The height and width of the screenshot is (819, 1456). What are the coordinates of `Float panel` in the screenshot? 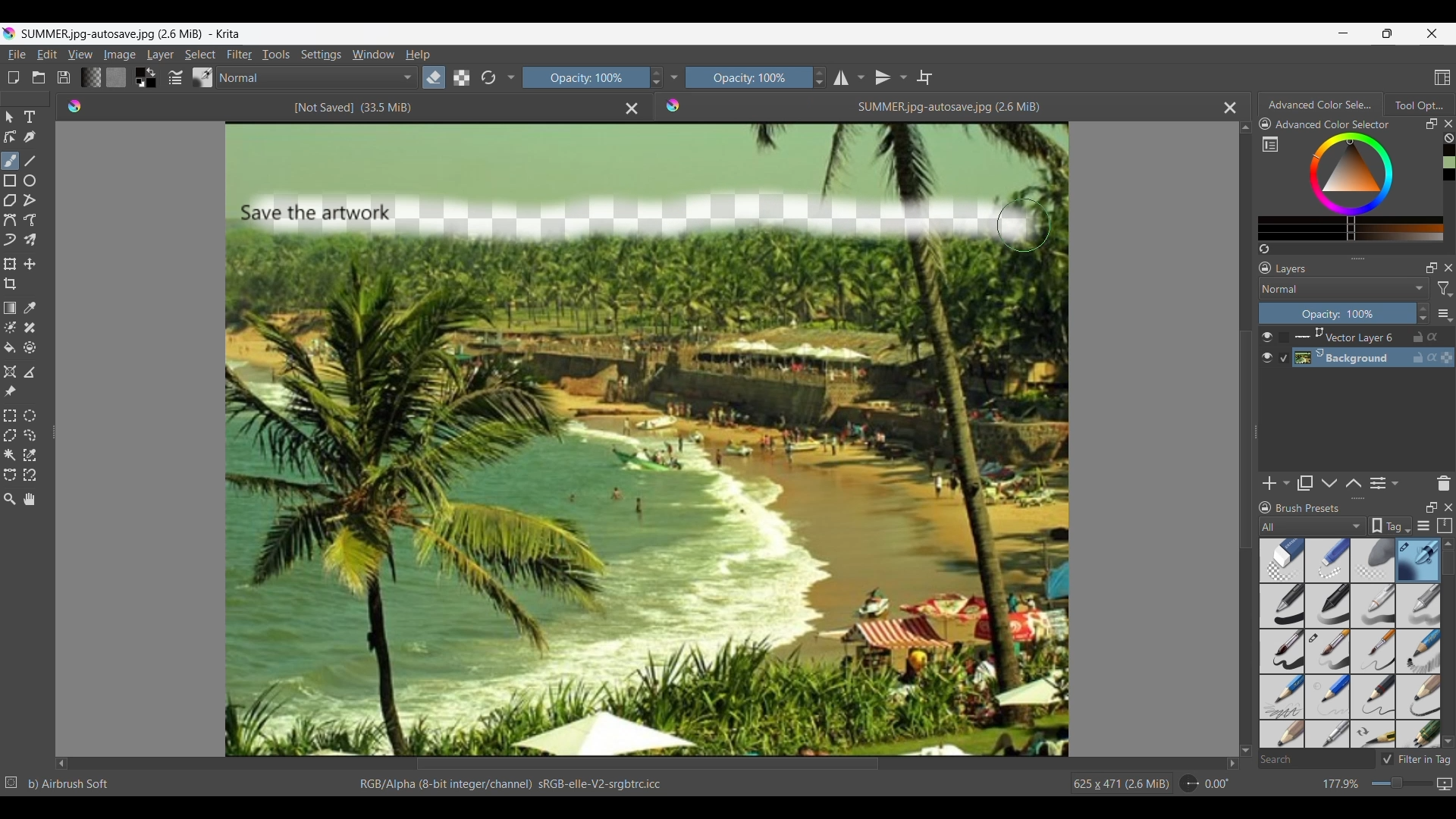 It's located at (1429, 508).